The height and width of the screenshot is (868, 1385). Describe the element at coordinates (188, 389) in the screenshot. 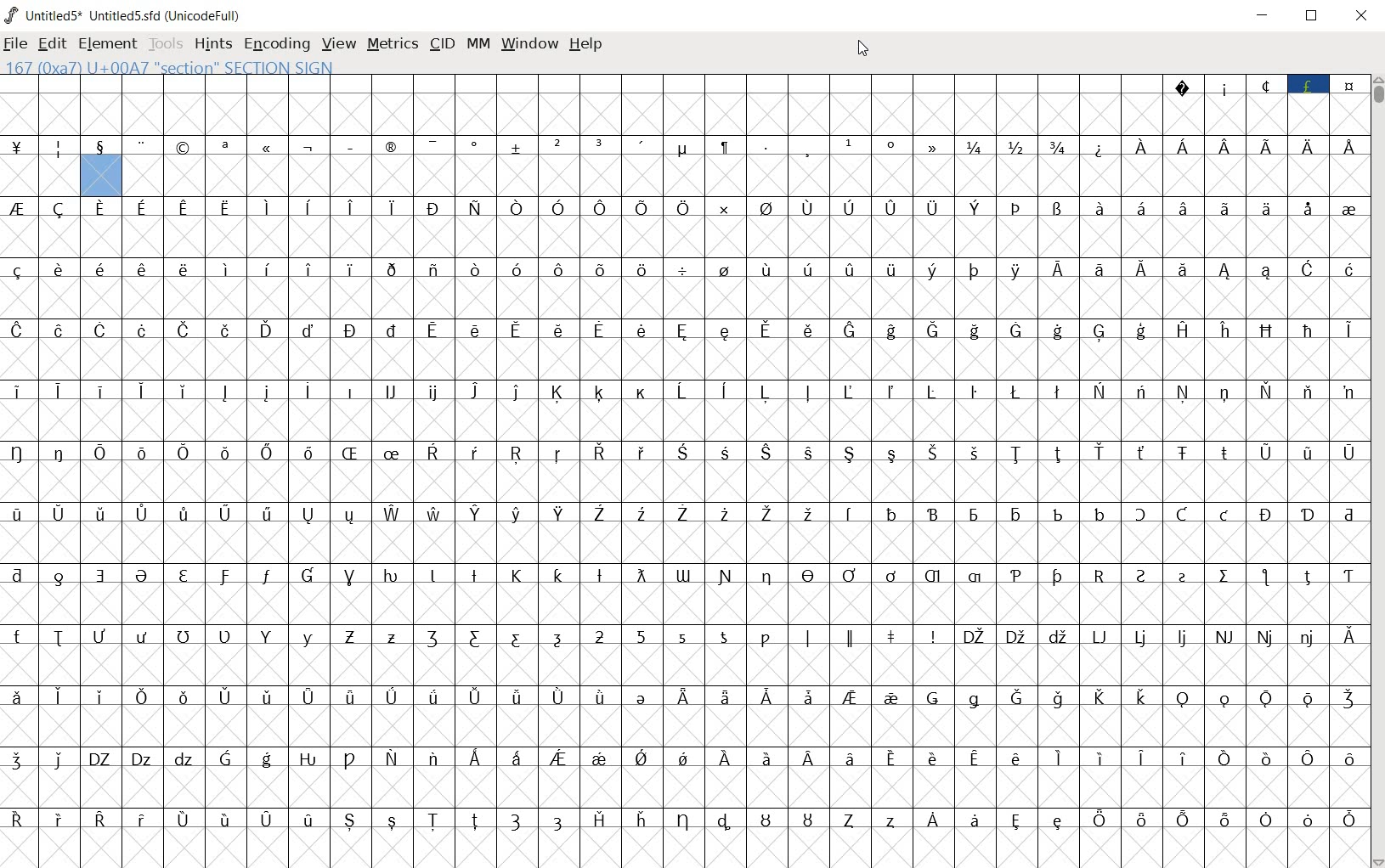

I see `` at that location.